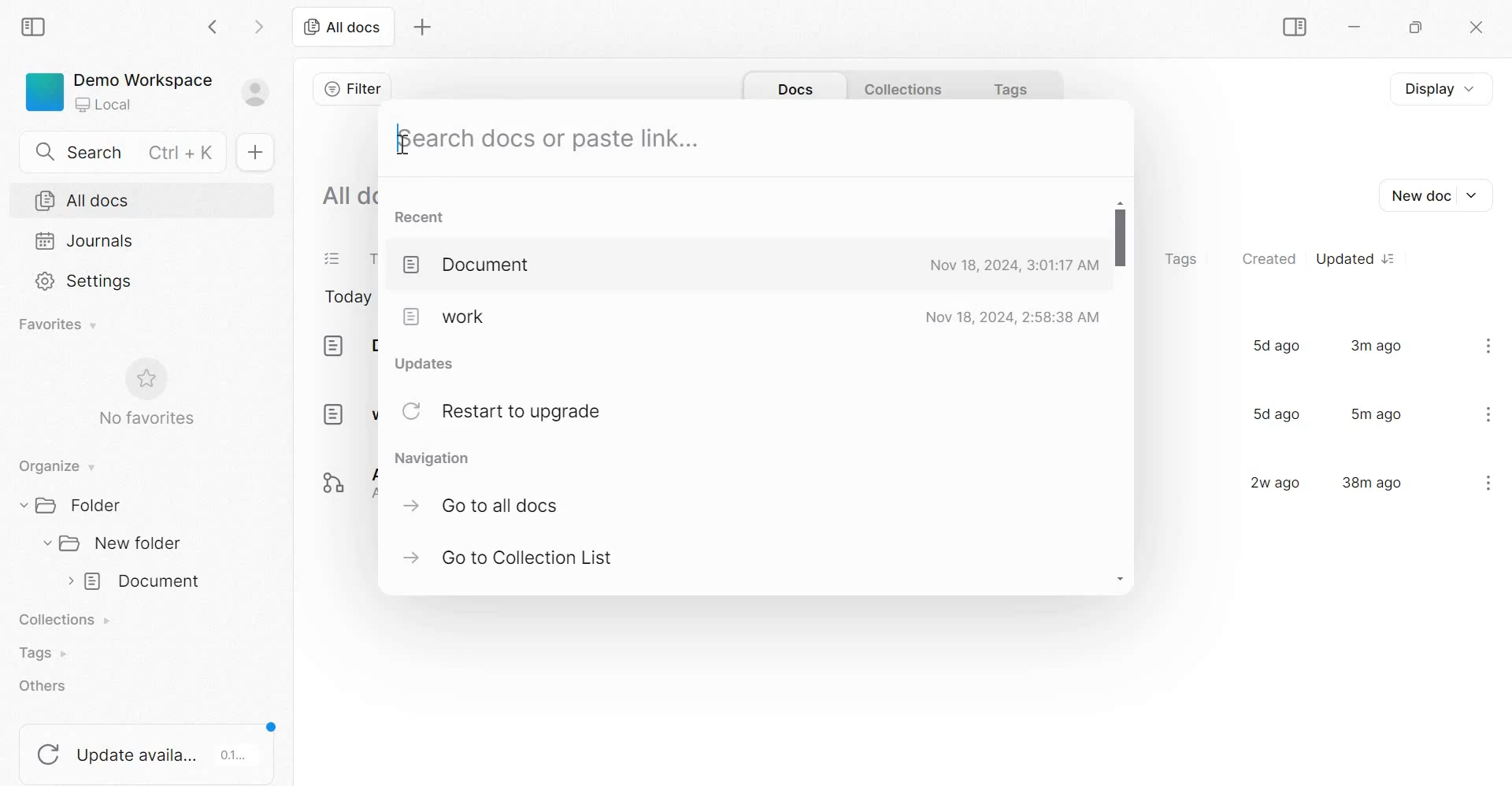 Image resolution: width=1512 pixels, height=786 pixels. I want to click on kebab menu, so click(1488, 482).